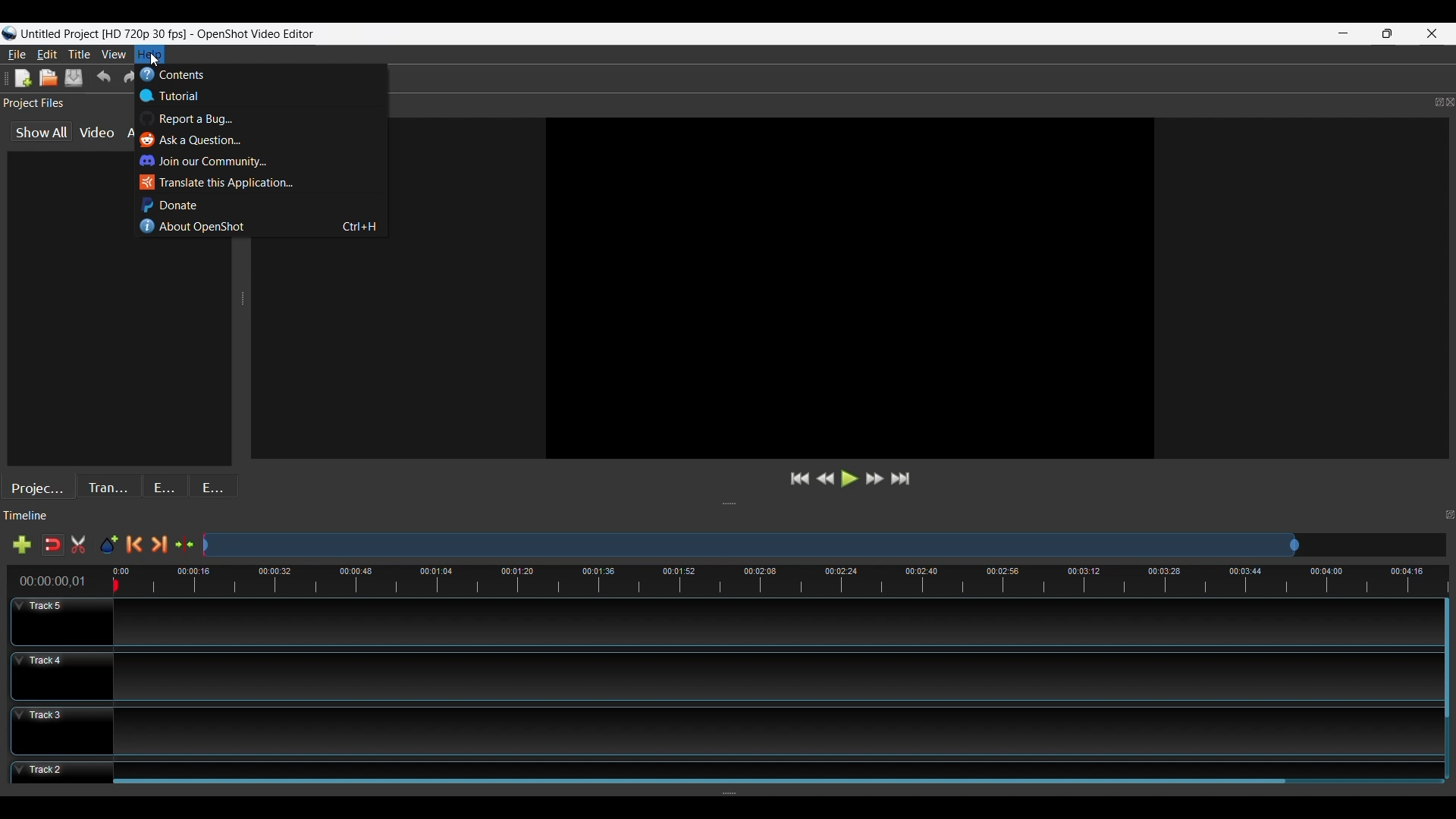 This screenshot has height=819, width=1456. Describe the element at coordinates (184, 545) in the screenshot. I see `Center the timeline at the playhead` at that location.